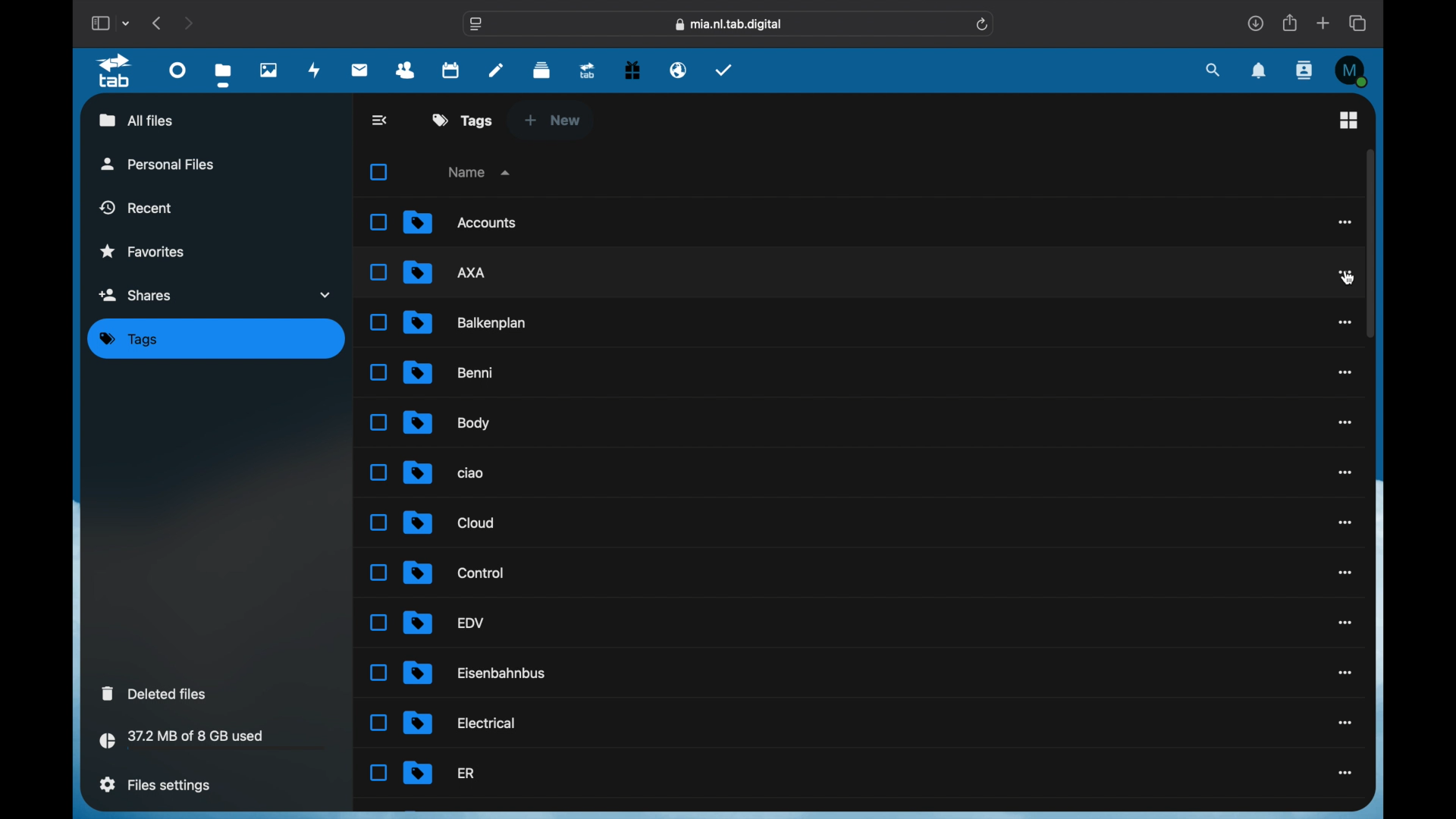  What do you see at coordinates (378, 173) in the screenshot?
I see `Select all checkbox` at bounding box center [378, 173].